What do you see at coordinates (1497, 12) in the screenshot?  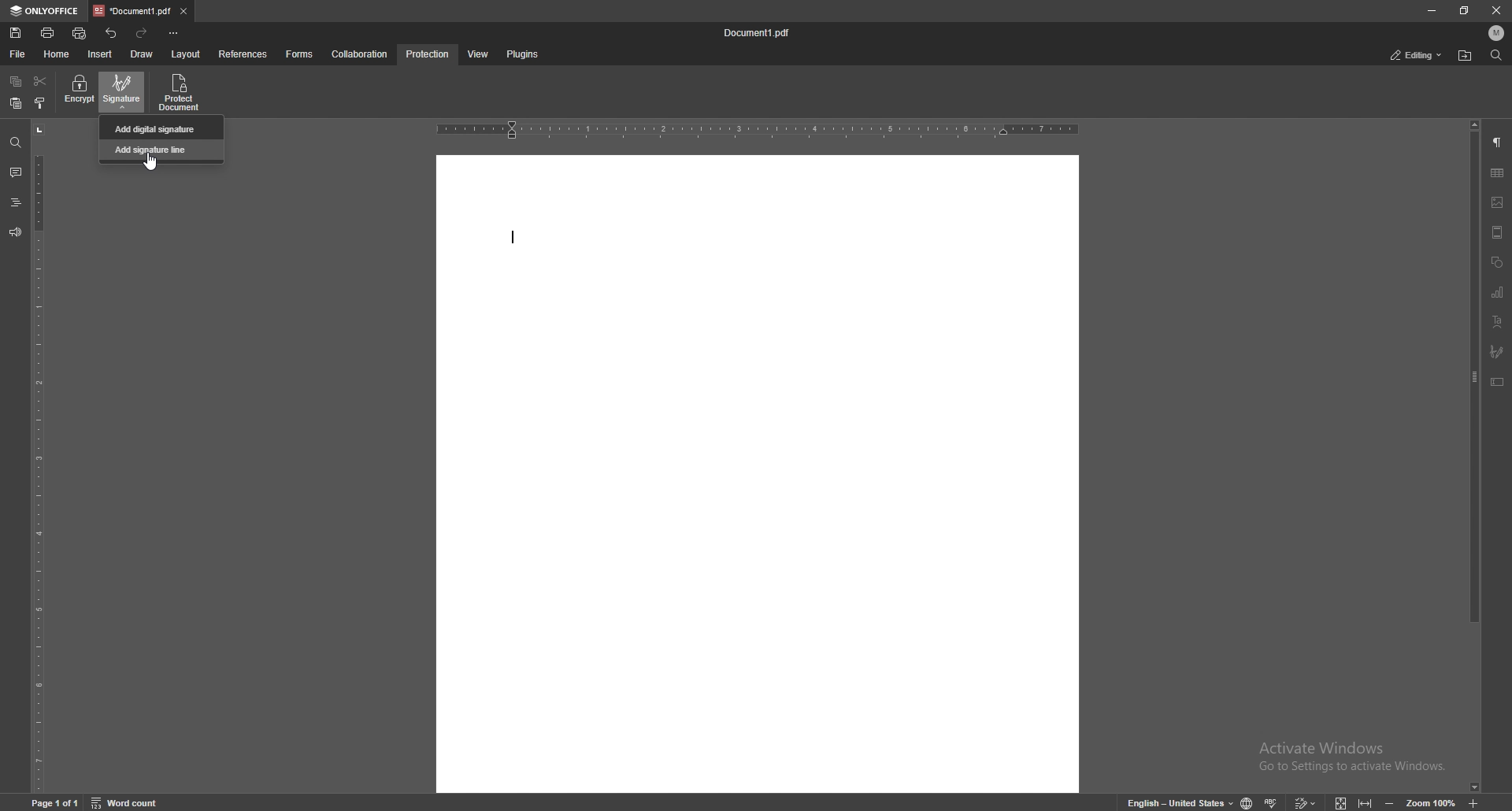 I see `close` at bounding box center [1497, 12].